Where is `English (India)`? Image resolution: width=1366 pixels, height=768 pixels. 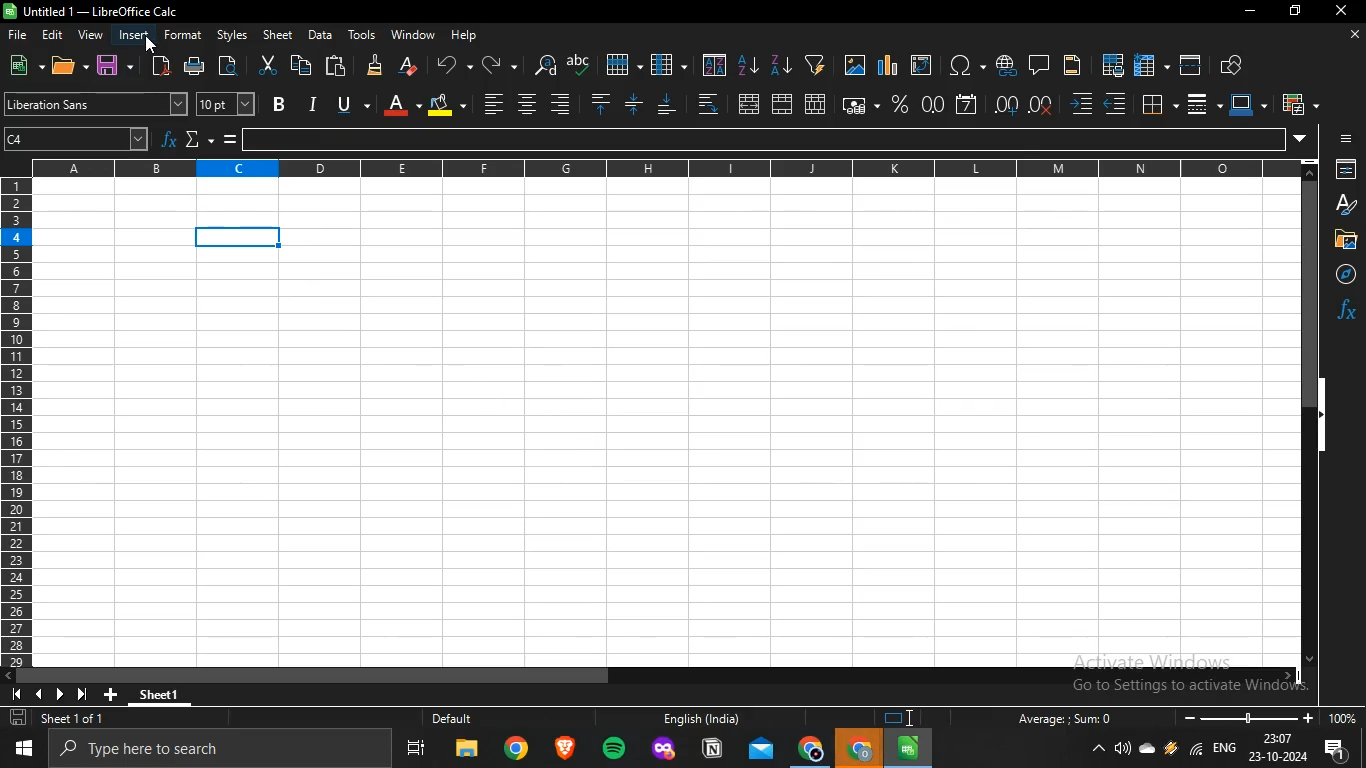
English (India) is located at coordinates (700, 719).